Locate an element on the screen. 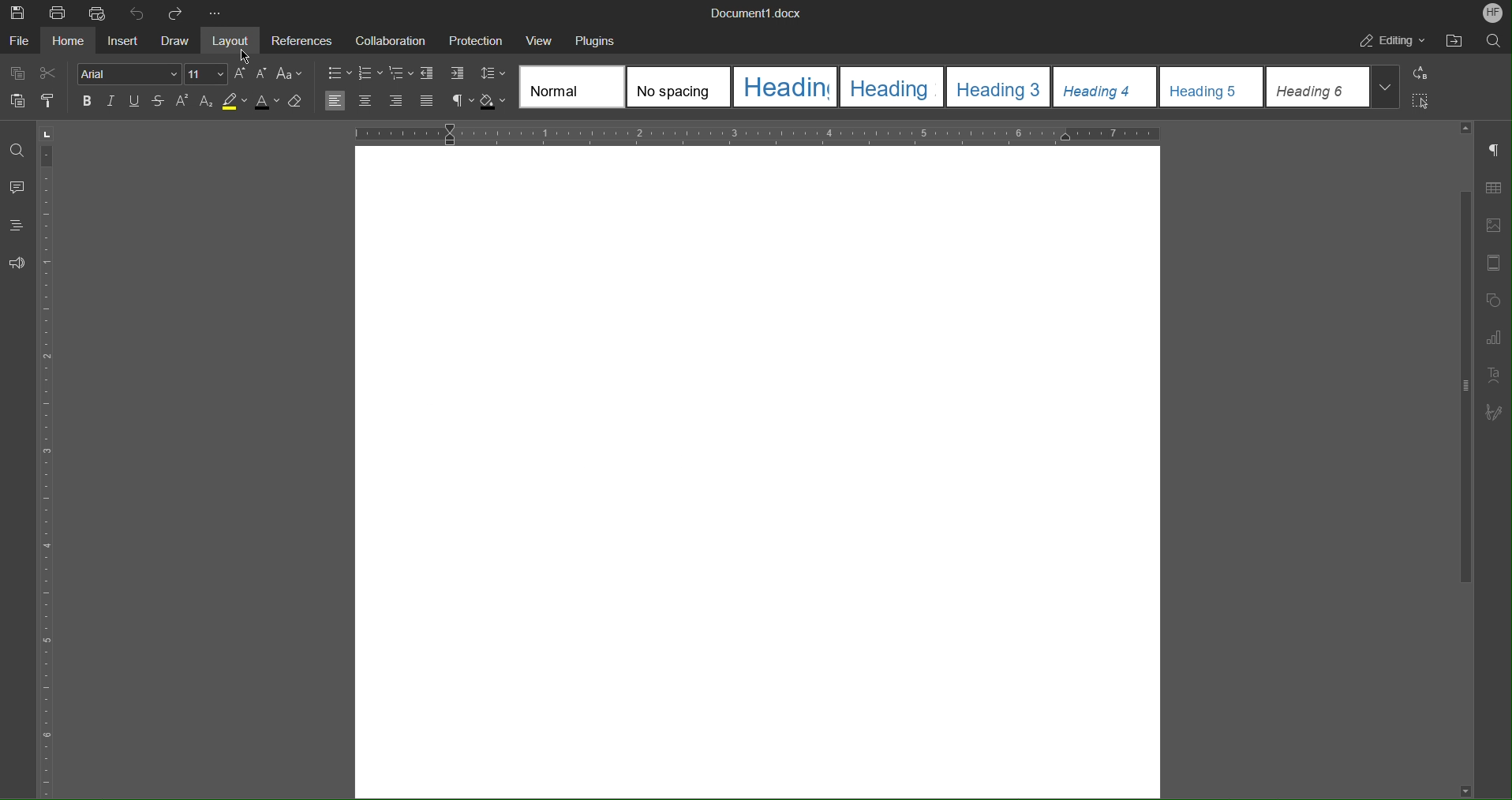 The height and width of the screenshot is (800, 1512). Underline is located at coordinates (134, 101).